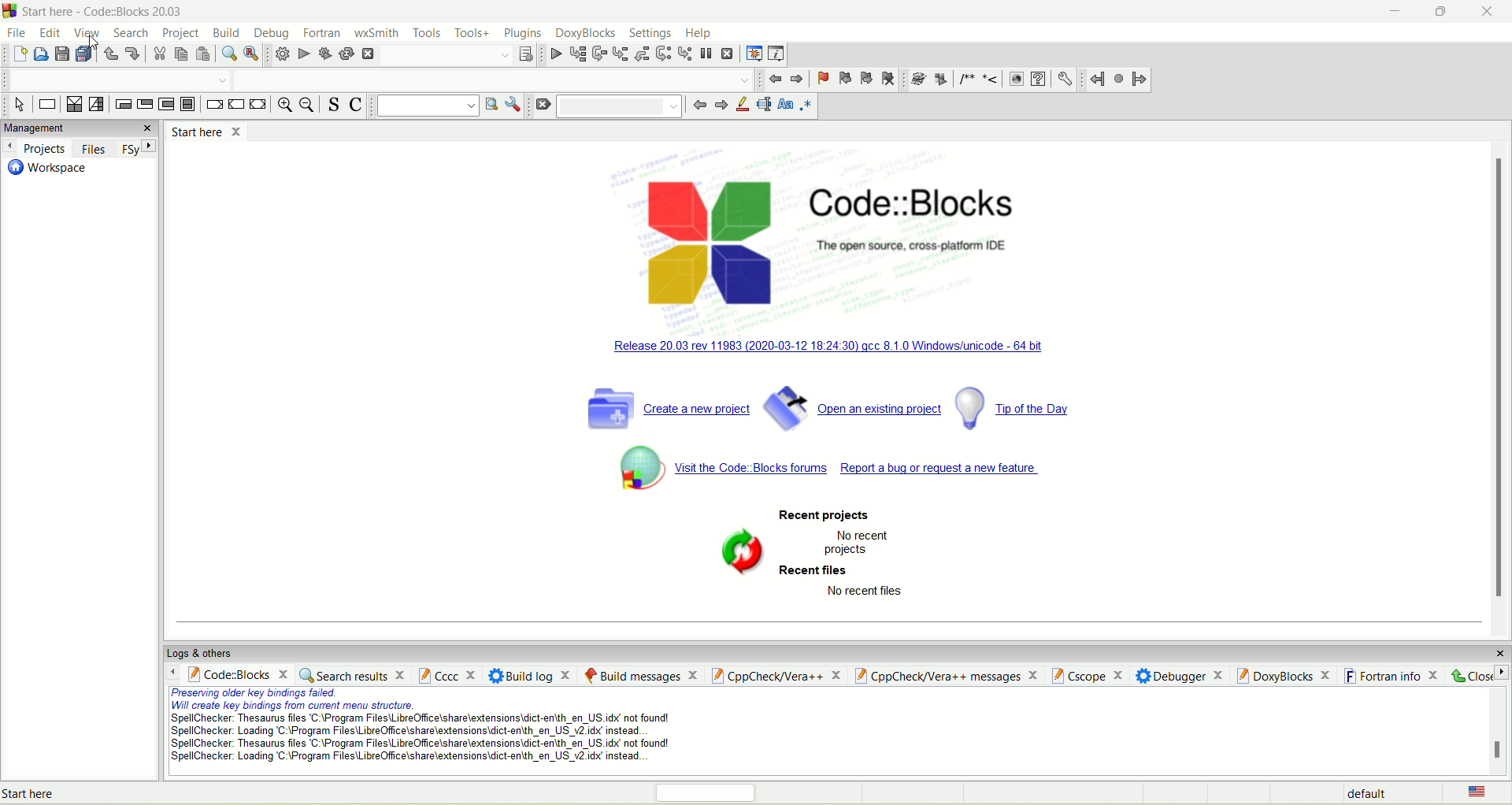 This screenshot has height=805, width=1512. I want to click on copy, so click(183, 54).